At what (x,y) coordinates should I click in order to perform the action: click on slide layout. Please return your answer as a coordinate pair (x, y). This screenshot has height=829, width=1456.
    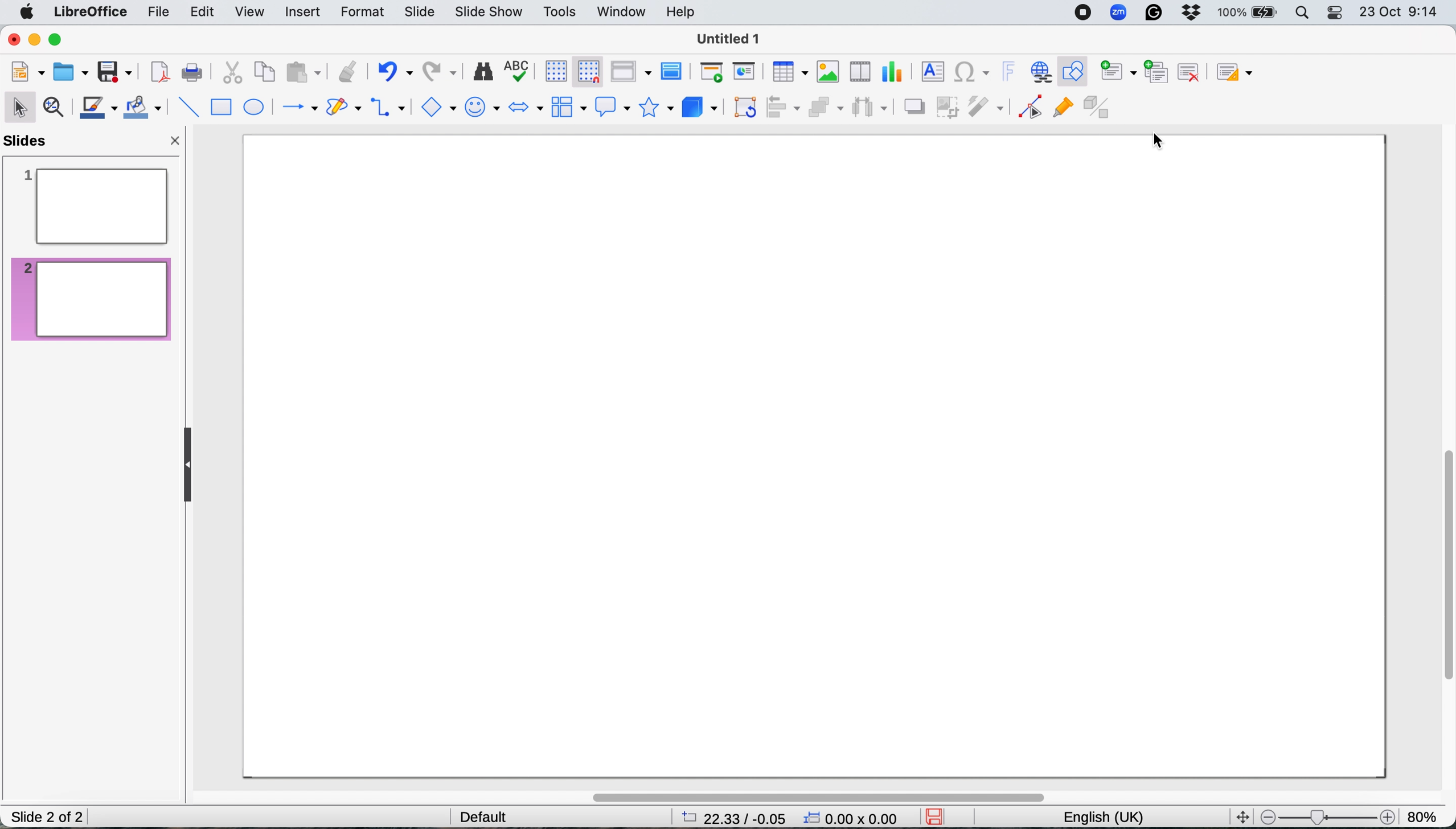
    Looking at the image, I should click on (1234, 72).